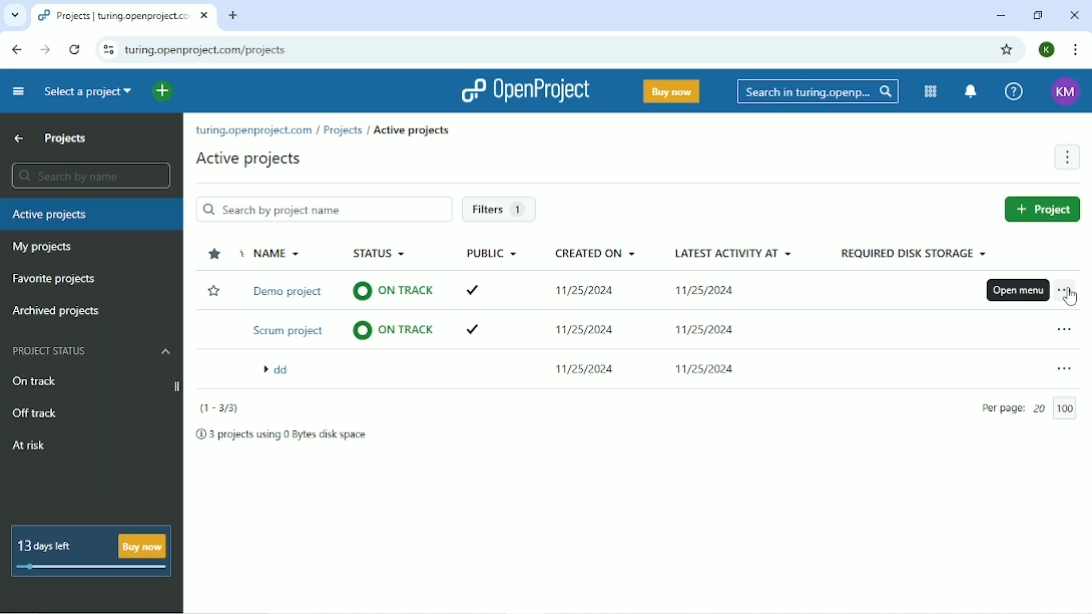  I want to click on ticked, so click(470, 330).